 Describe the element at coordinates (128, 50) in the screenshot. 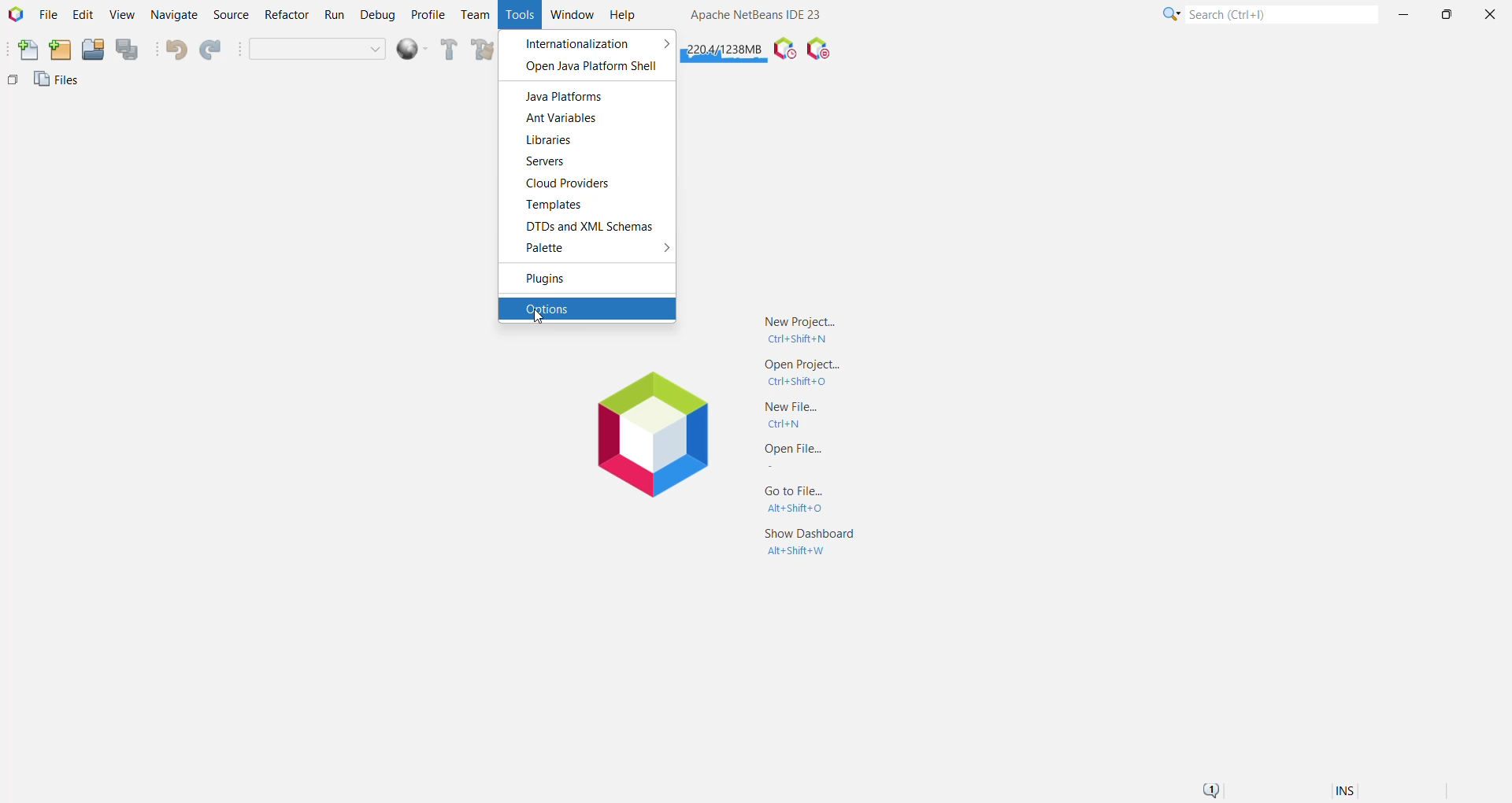

I see `Save All` at that location.